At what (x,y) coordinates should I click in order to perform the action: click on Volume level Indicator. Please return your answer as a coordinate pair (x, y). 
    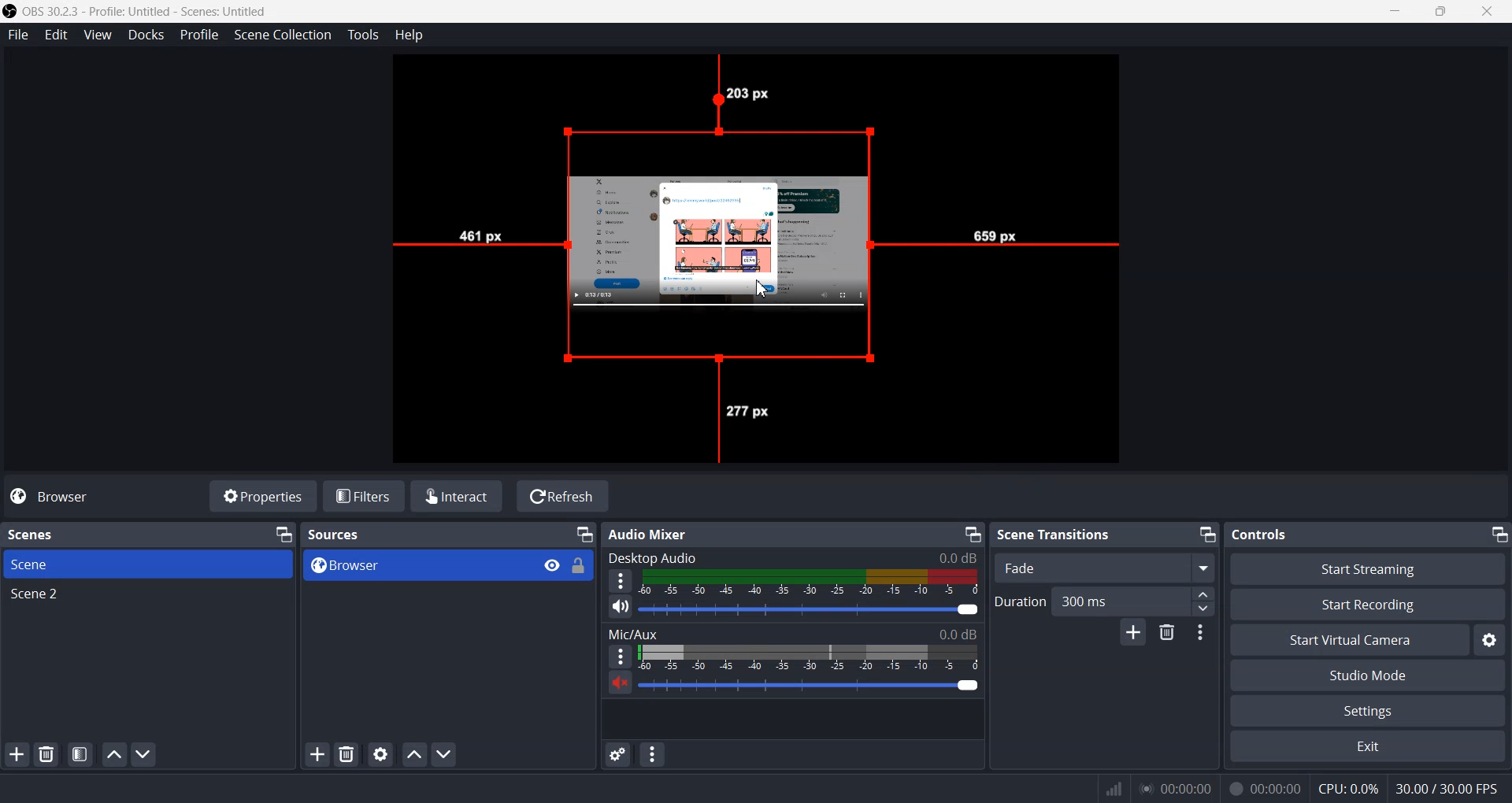
    Looking at the image, I should click on (811, 583).